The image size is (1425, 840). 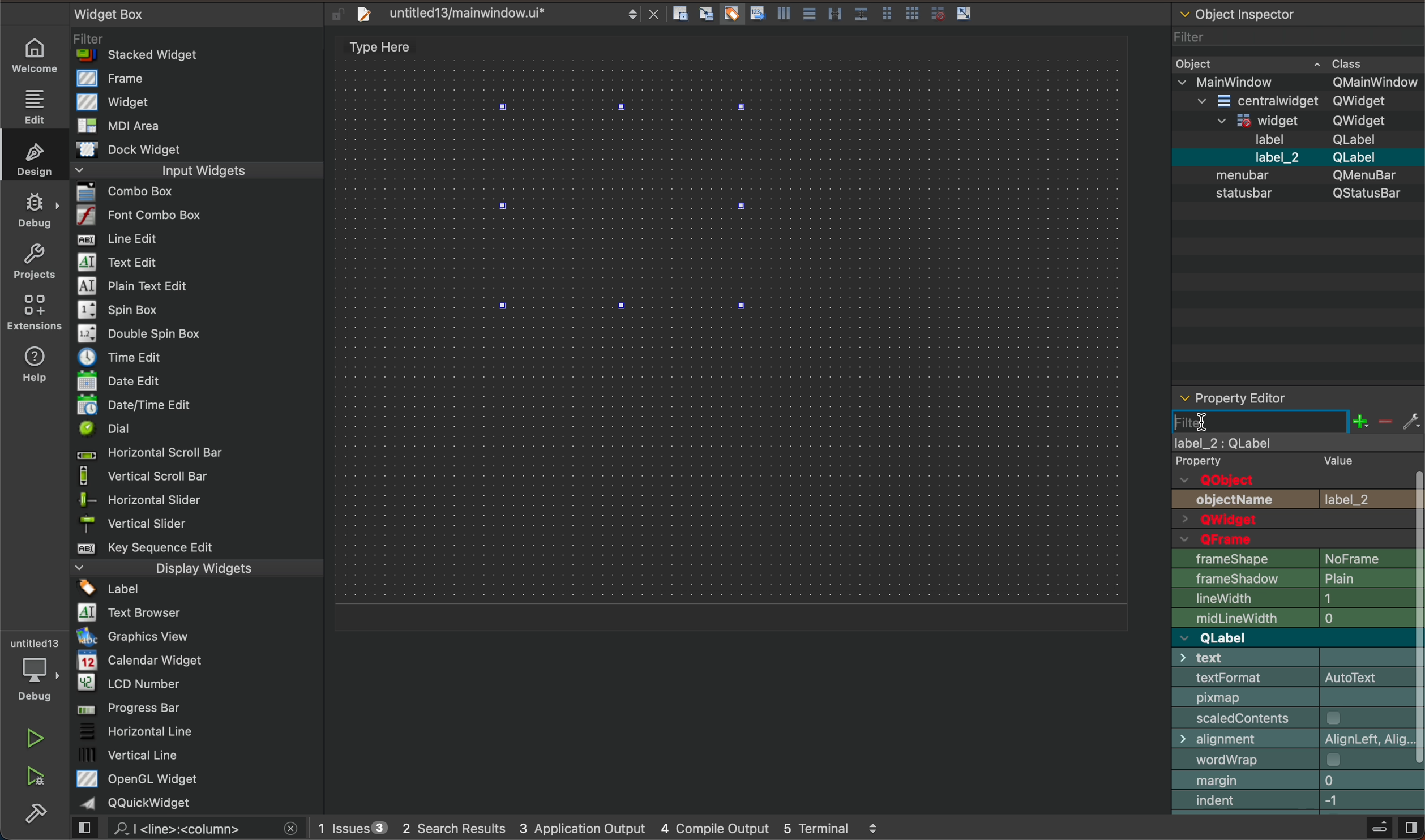 I want to click on property editor, so click(x=1276, y=397).